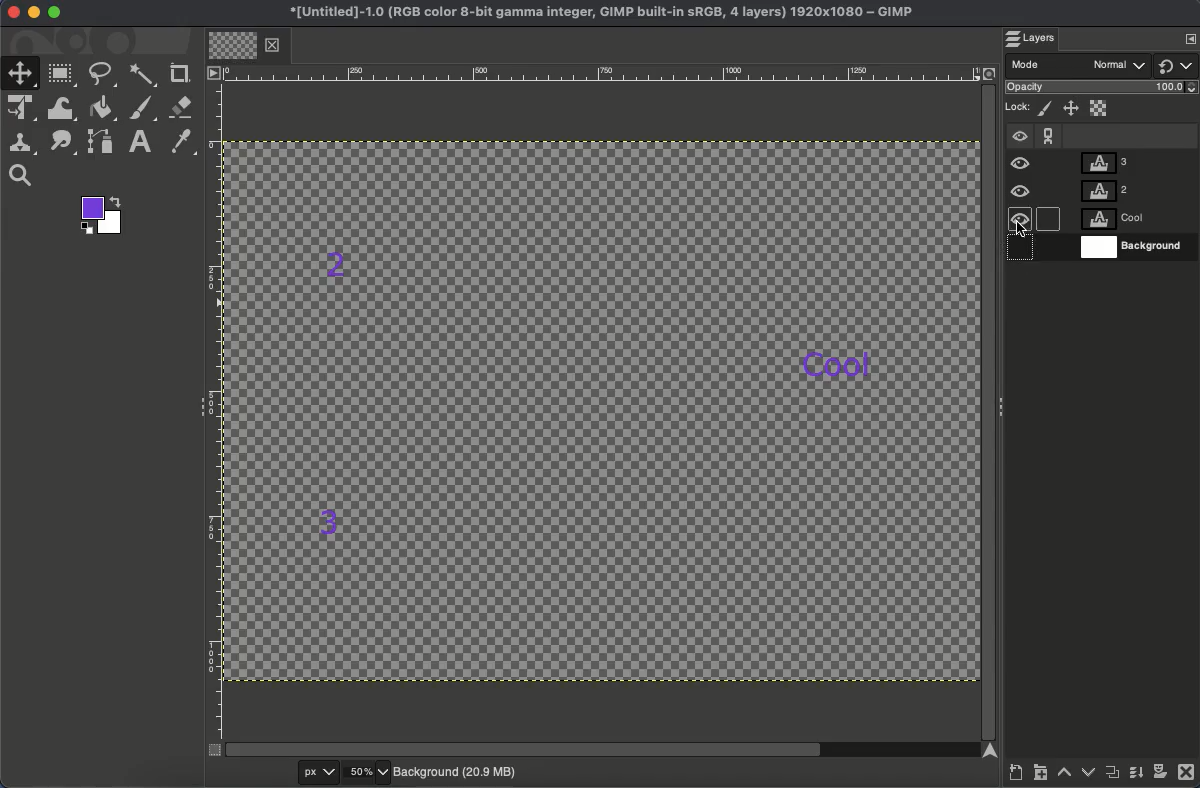 The image size is (1200, 788). I want to click on Unified transformation, so click(24, 109).